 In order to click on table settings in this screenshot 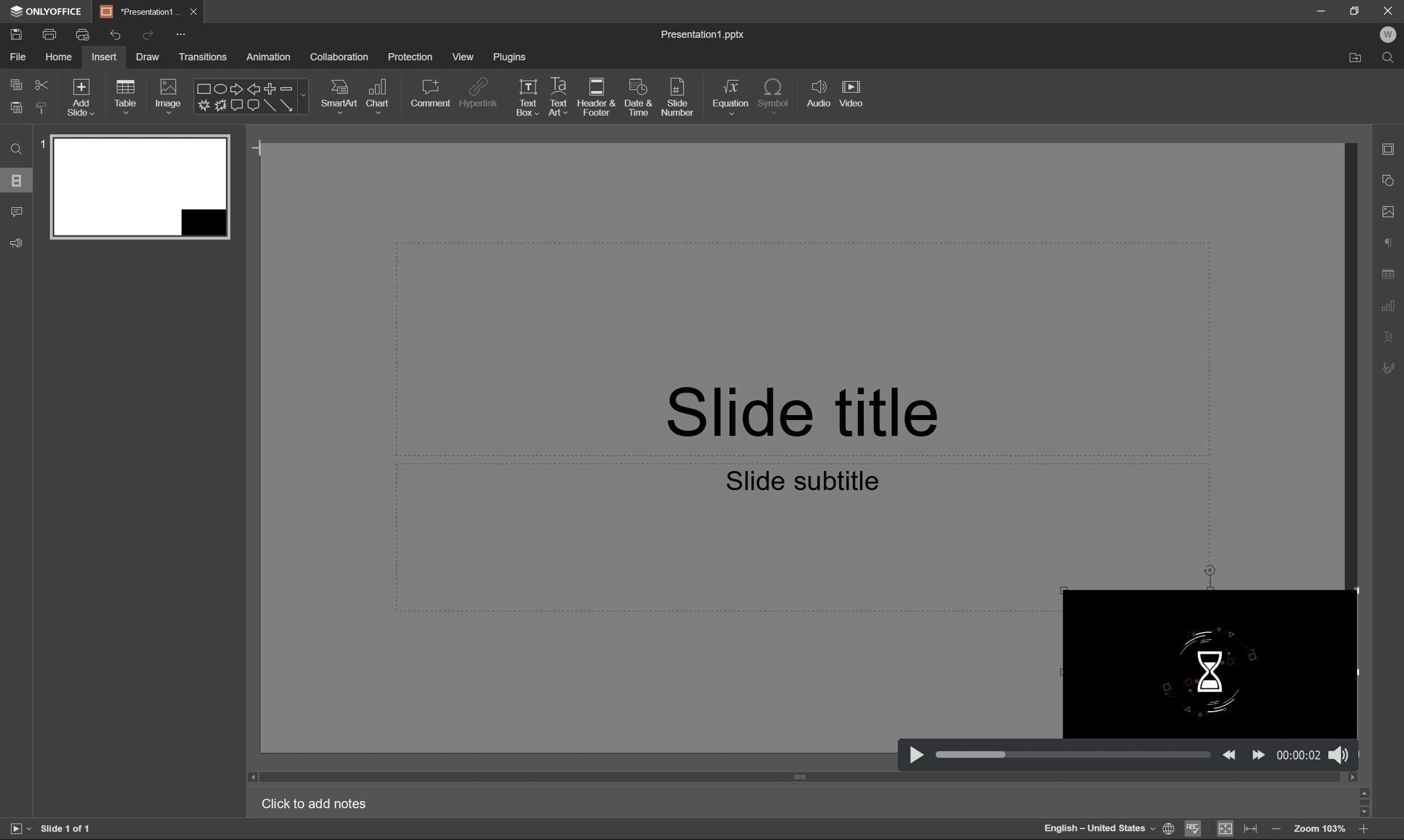, I will do `click(1390, 273)`.